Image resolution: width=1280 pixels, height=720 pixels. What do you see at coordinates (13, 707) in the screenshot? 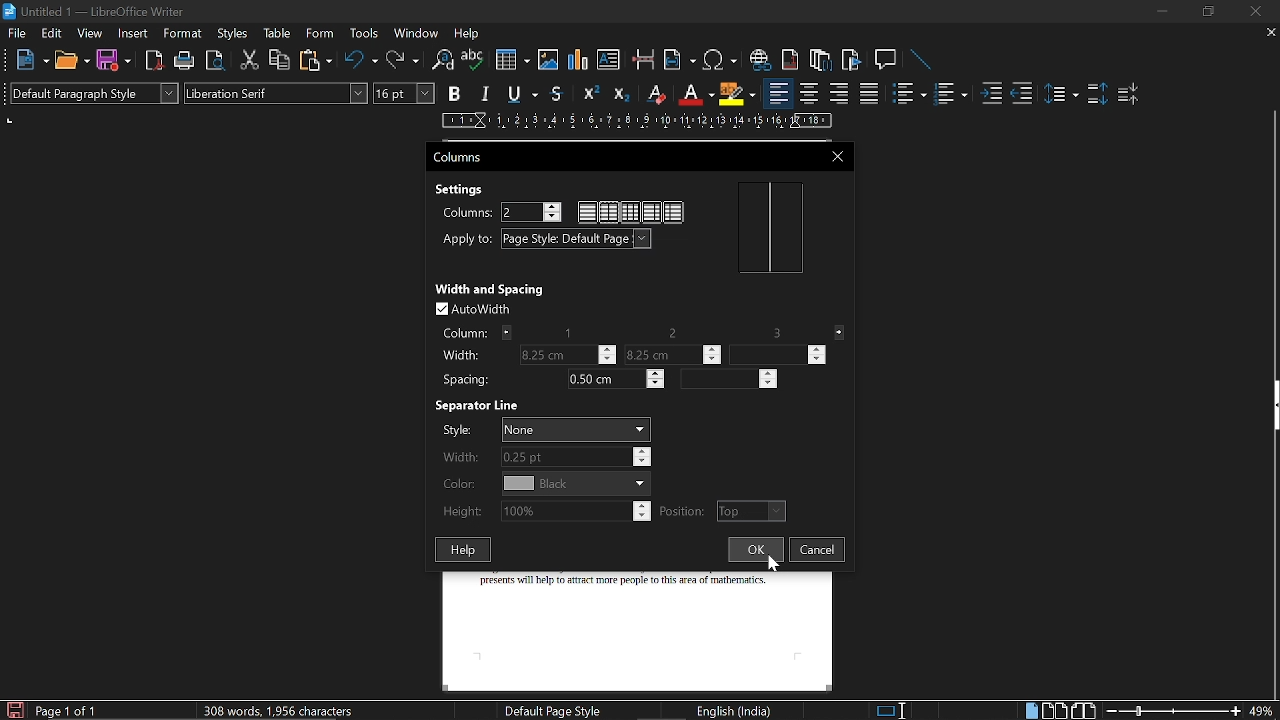
I see `Save` at bounding box center [13, 707].